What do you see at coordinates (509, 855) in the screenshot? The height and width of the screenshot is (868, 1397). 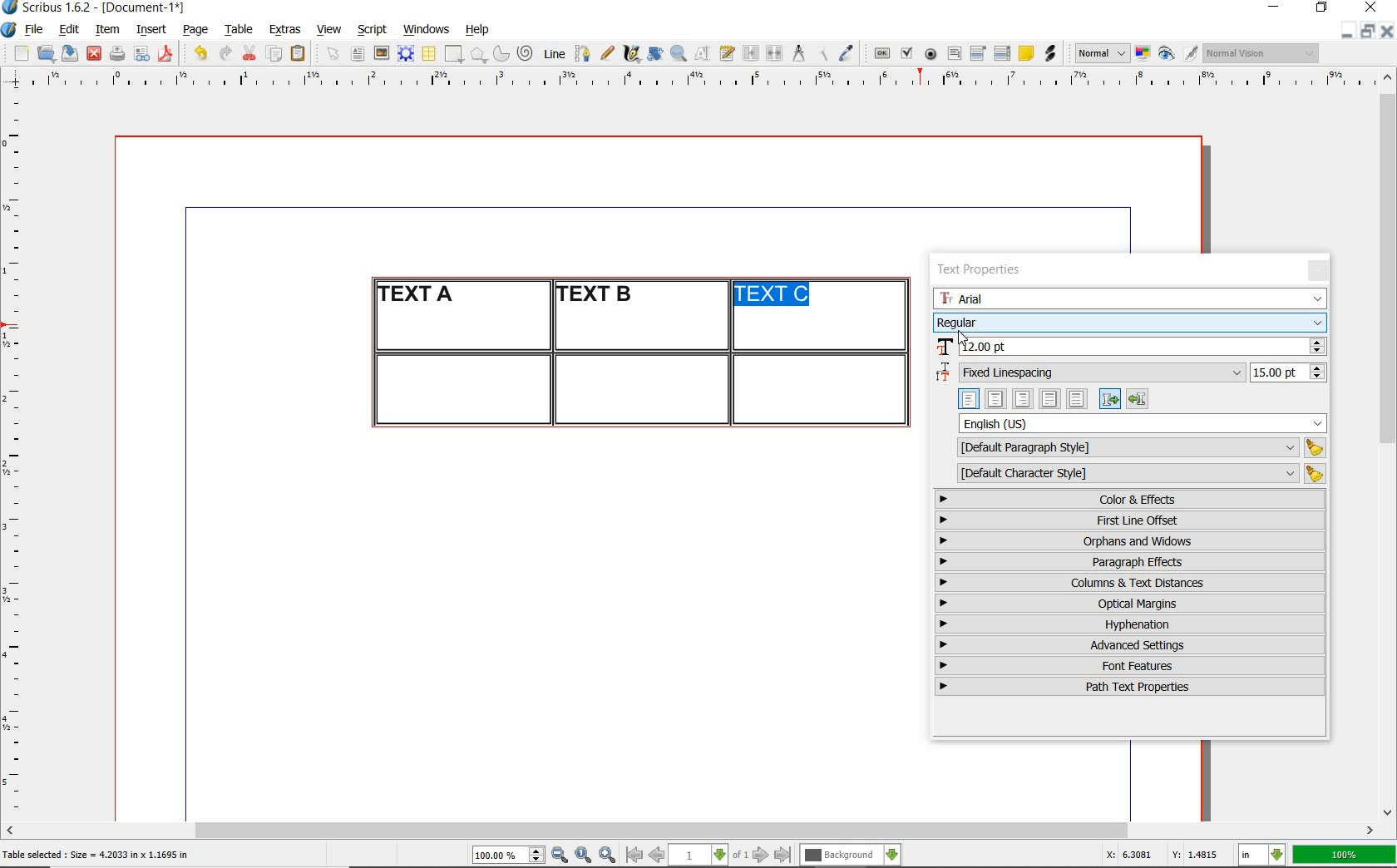 I see `select current zoom level` at bounding box center [509, 855].